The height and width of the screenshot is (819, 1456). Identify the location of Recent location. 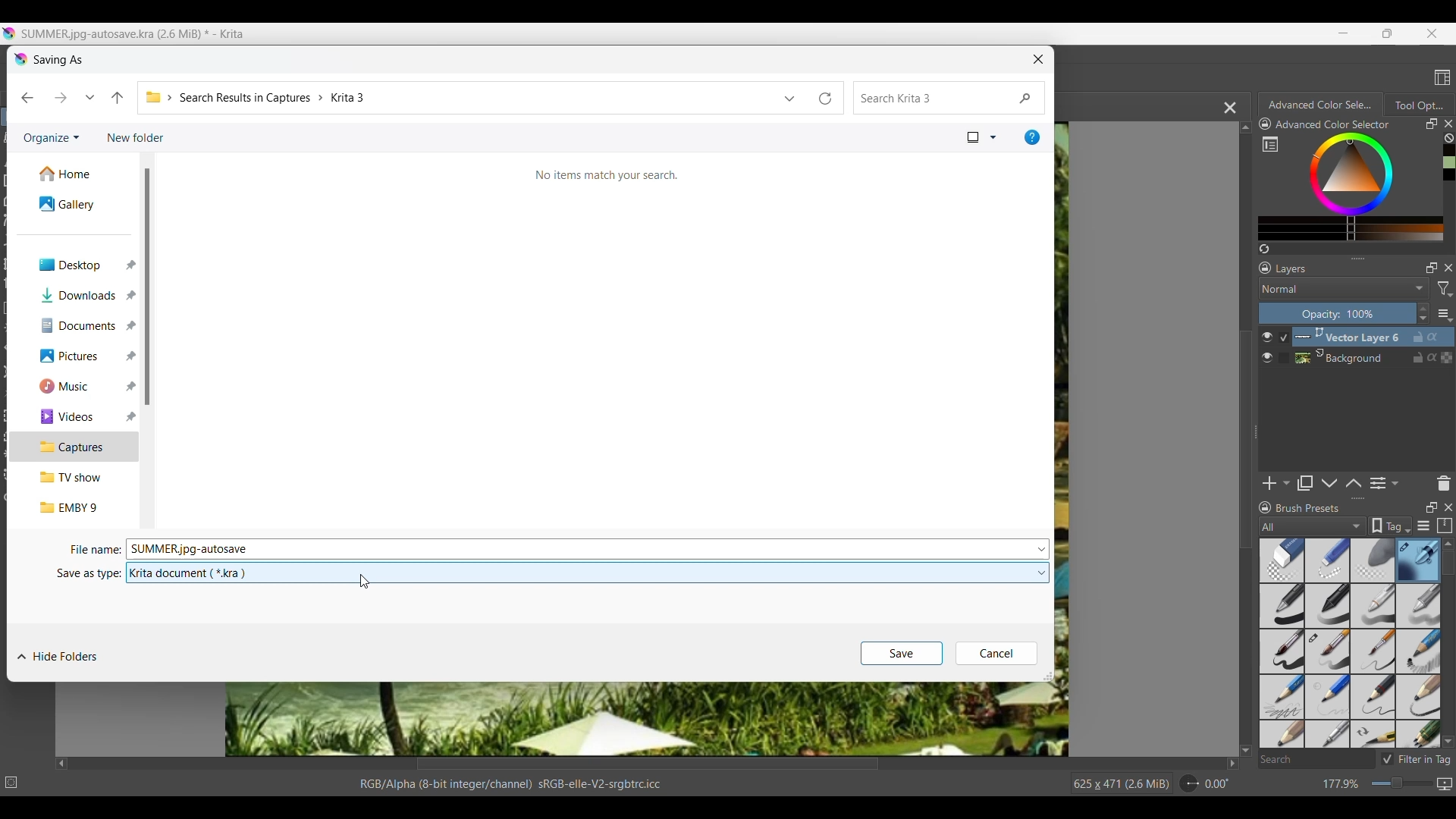
(90, 97).